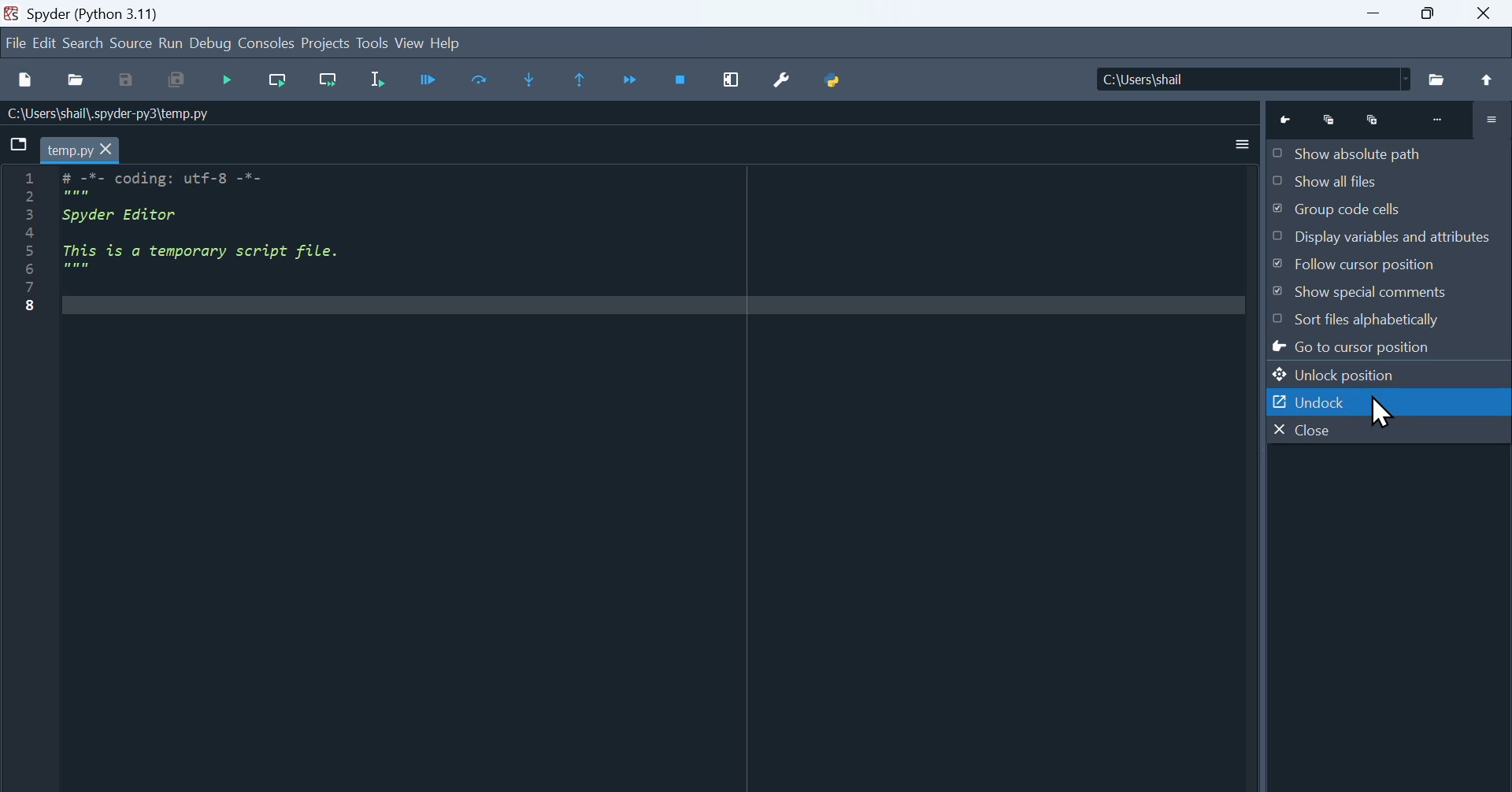  Describe the element at coordinates (376, 79) in the screenshot. I see `Run selection` at that location.